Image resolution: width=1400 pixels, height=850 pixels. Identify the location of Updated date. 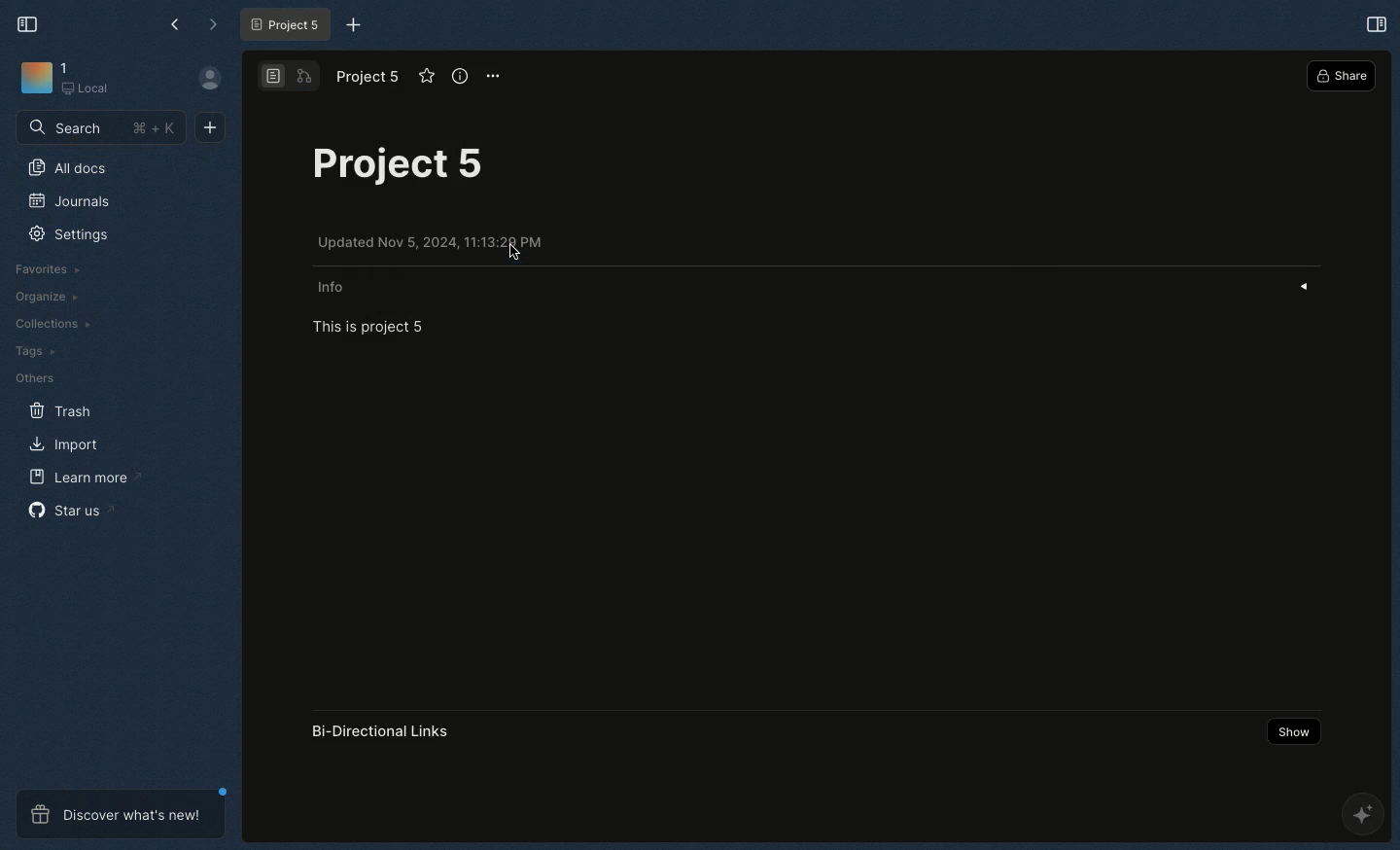
(454, 246).